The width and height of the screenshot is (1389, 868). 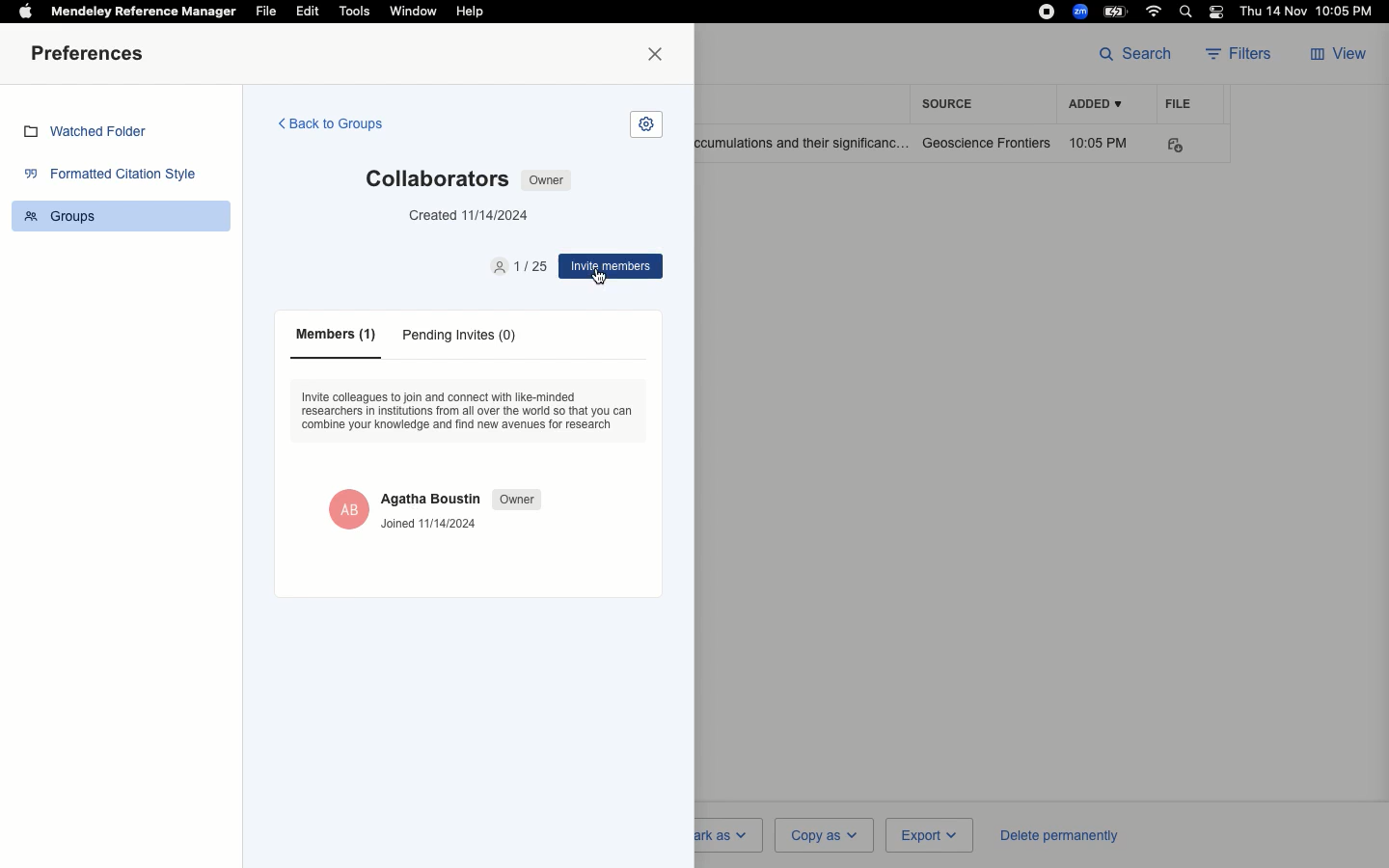 What do you see at coordinates (432, 526) in the screenshot?
I see `Joinrd 11/14/2024` at bounding box center [432, 526].